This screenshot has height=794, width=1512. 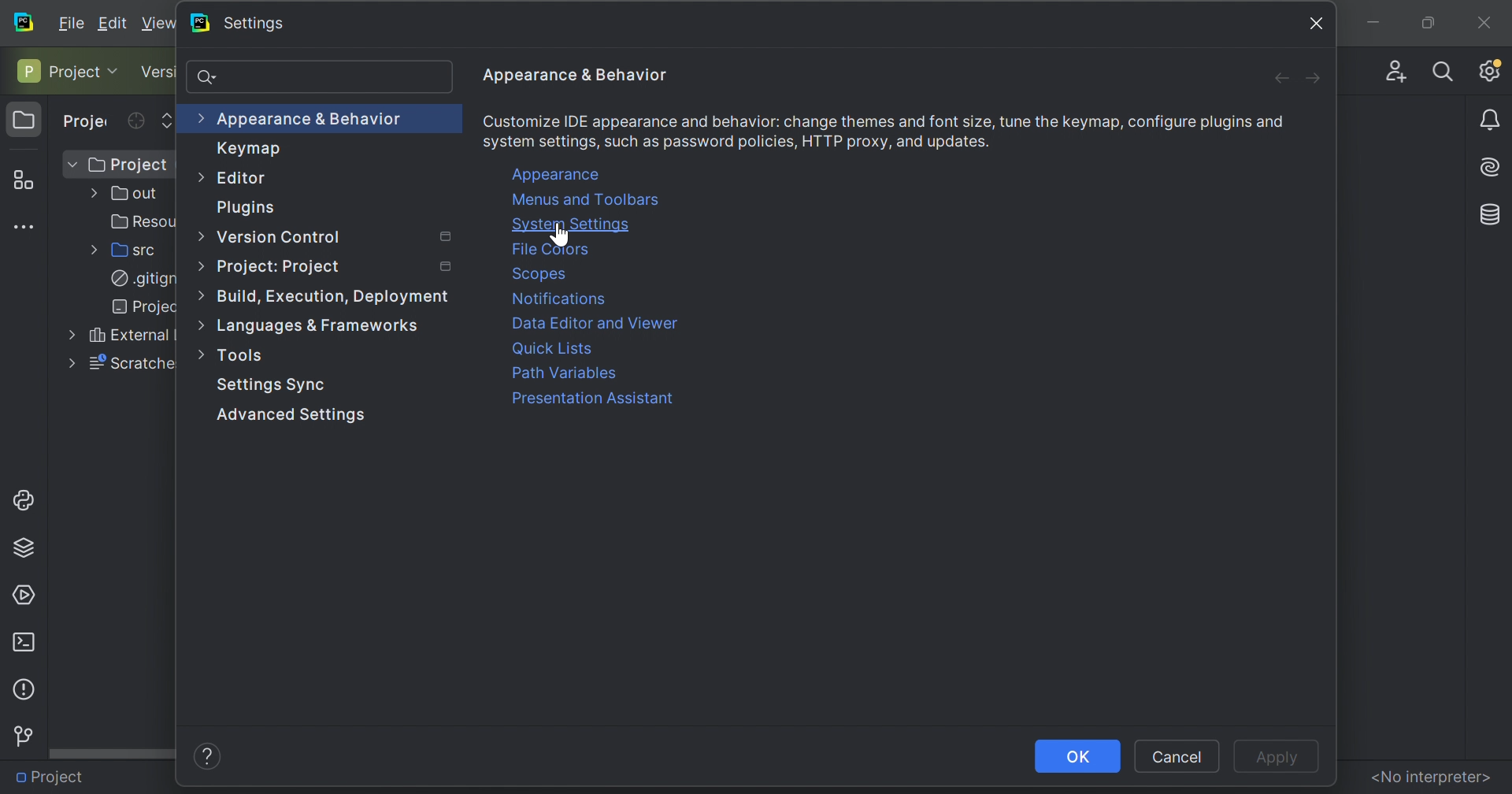 What do you see at coordinates (57, 70) in the screenshot?
I see `Project` at bounding box center [57, 70].